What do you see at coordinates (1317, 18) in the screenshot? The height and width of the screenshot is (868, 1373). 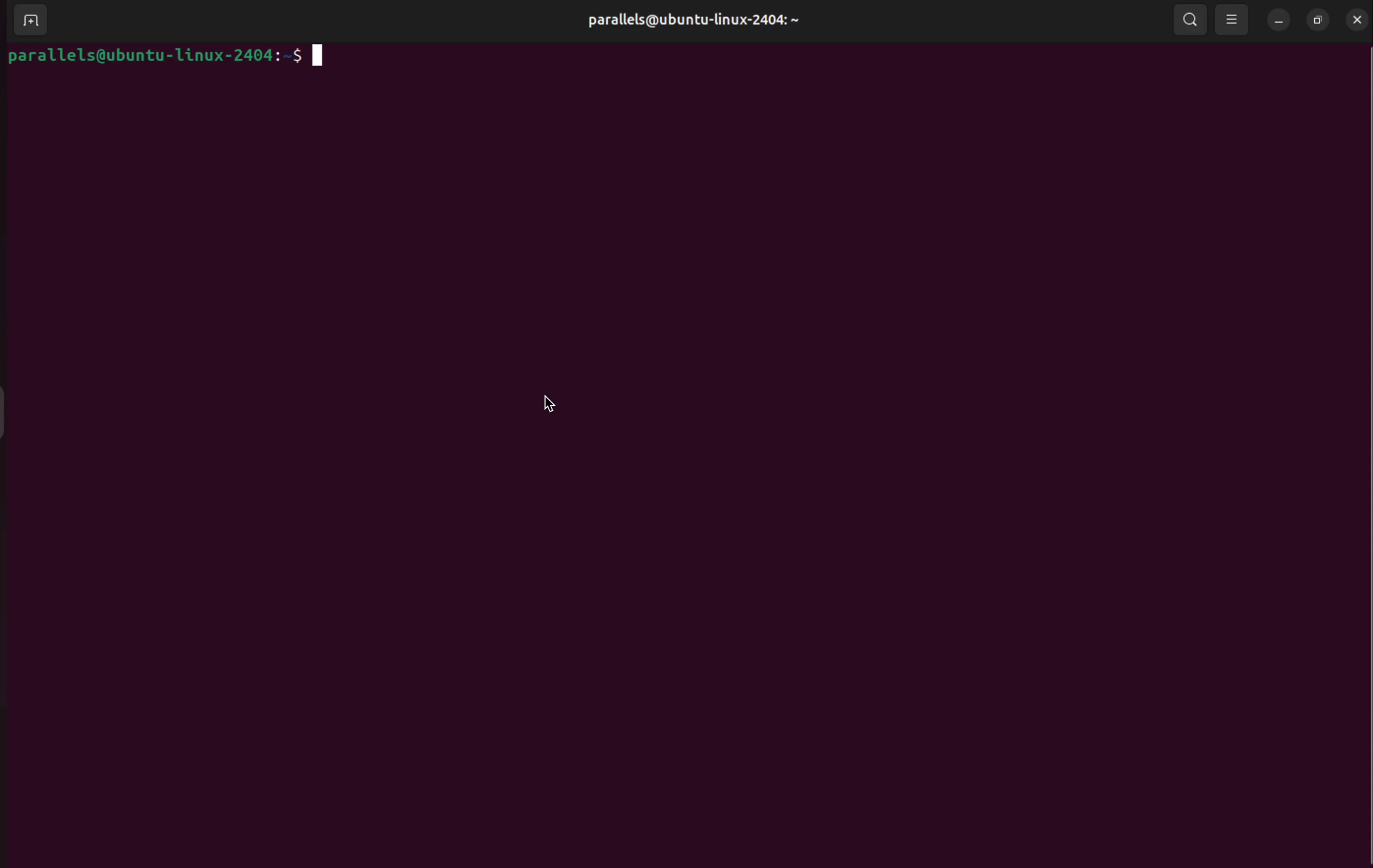 I see `resize` at bounding box center [1317, 18].